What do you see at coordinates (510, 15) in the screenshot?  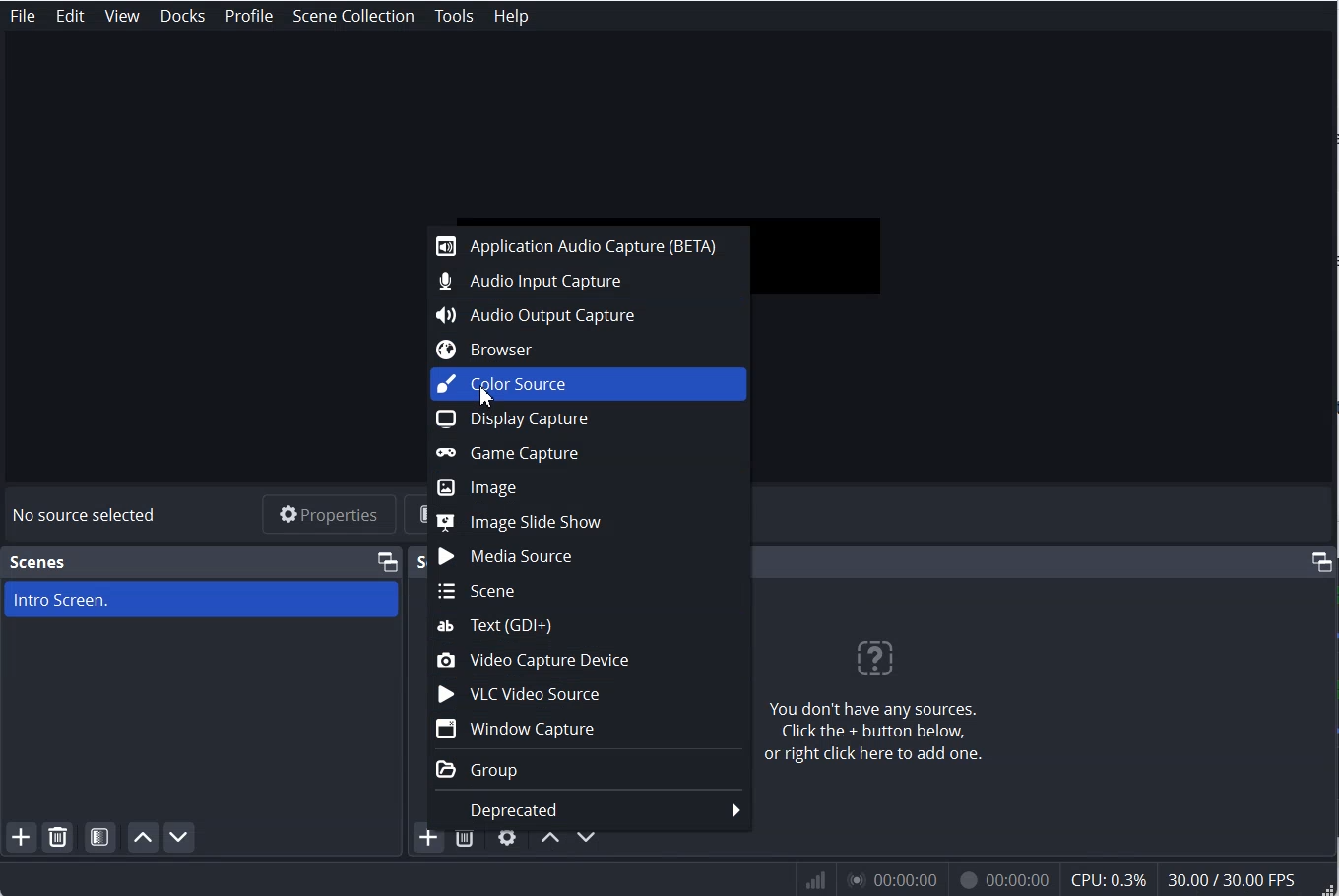 I see `Help` at bounding box center [510, 15].